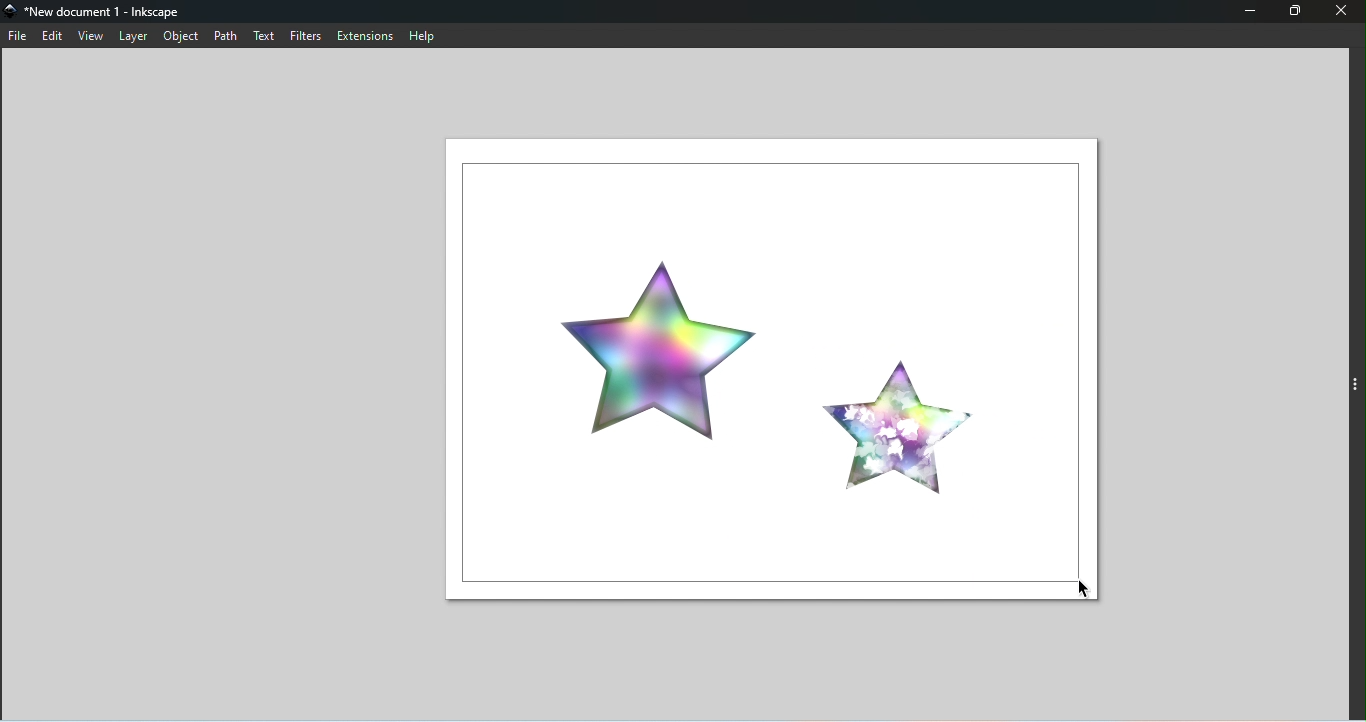 The width and height of the screenshot is (1366, 722). I want to click on File, so click(17, 37).